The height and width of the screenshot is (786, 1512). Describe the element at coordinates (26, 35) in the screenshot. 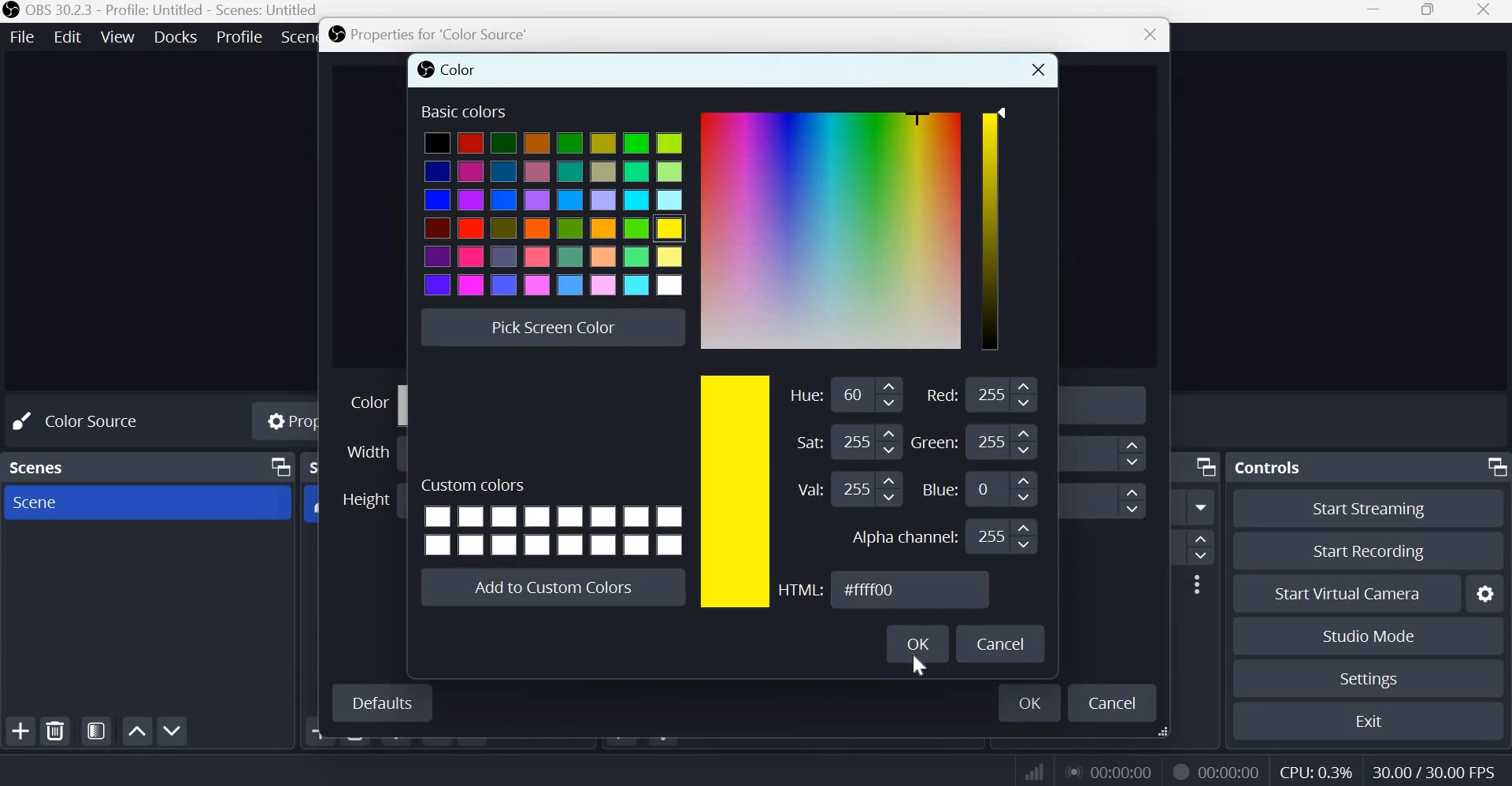

I see `File` at that location.